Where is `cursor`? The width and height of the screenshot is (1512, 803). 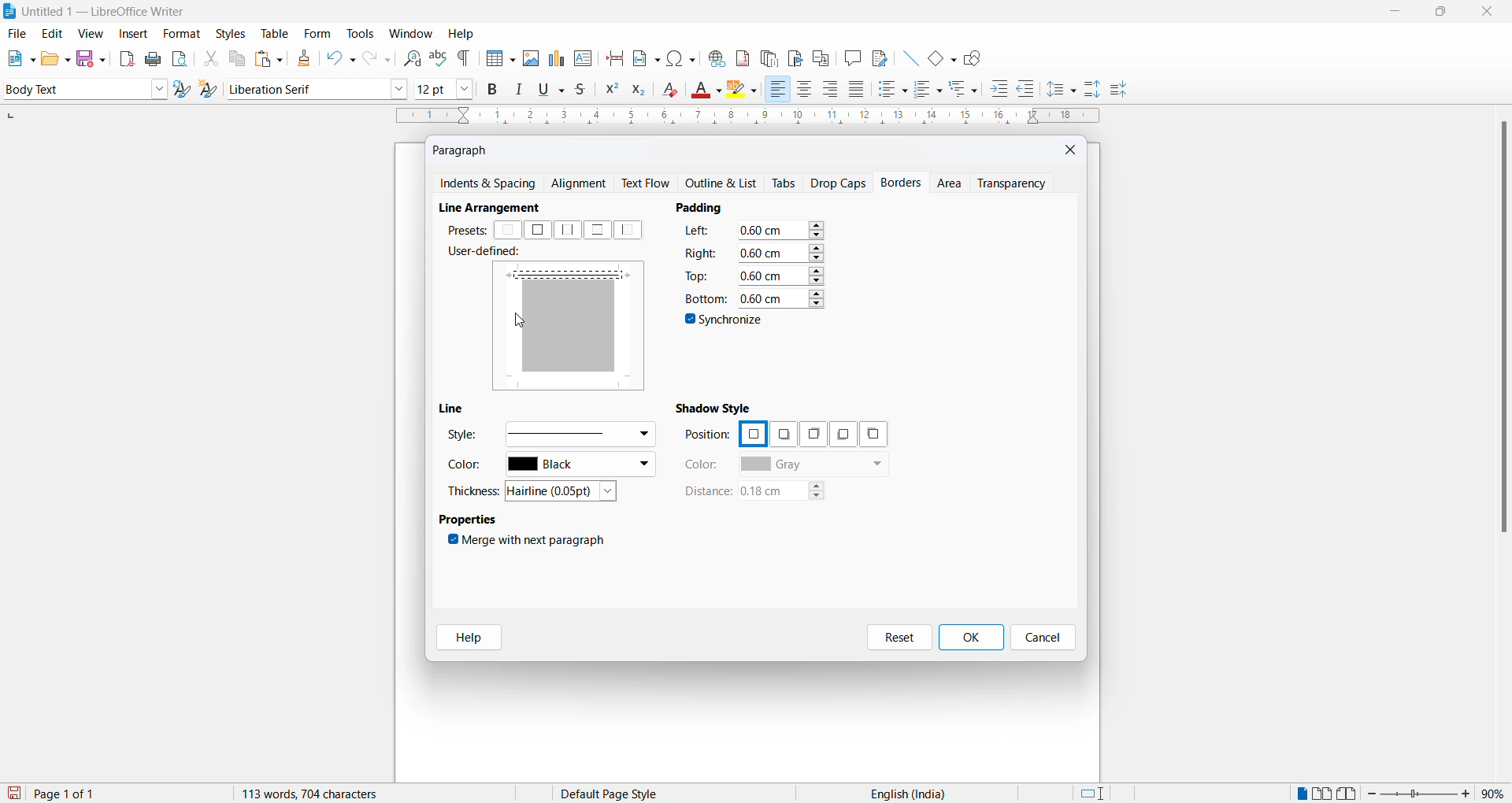
cursor is located at coordinates (521, 321).